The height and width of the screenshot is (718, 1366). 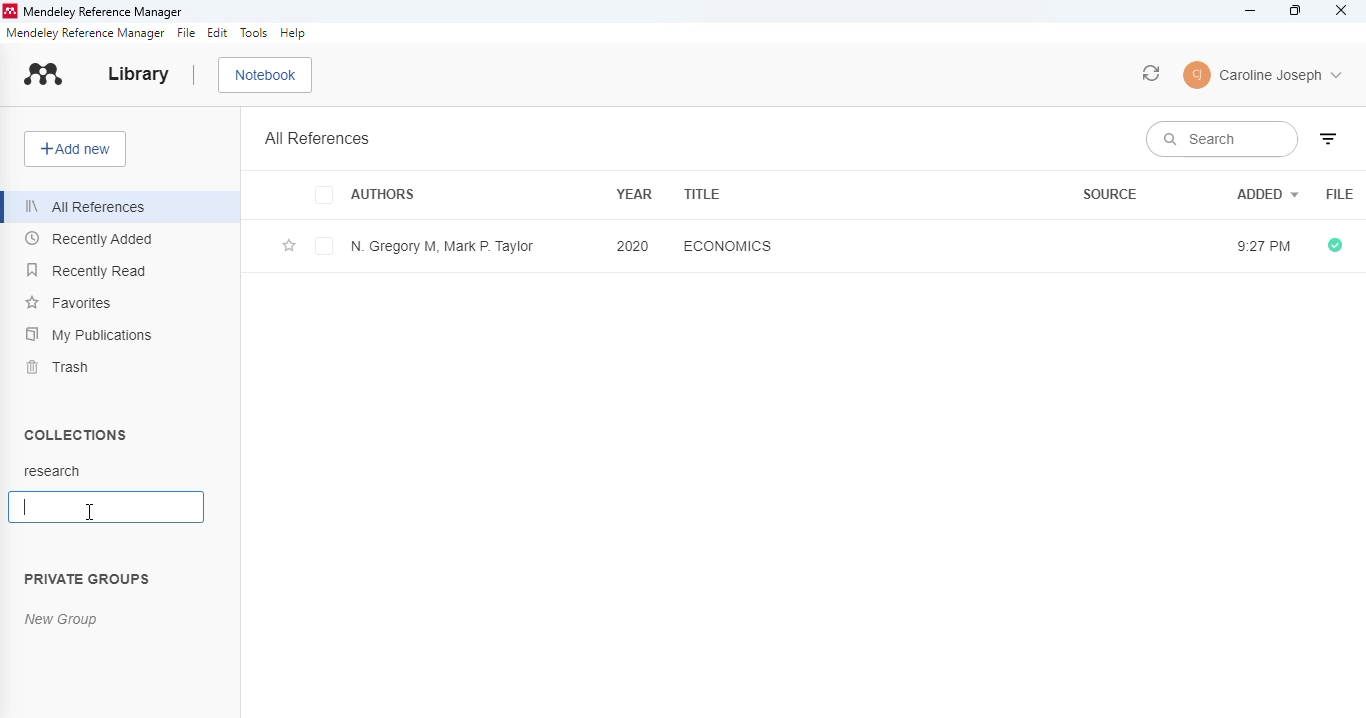 I want to click on help, so click(x=293, y=33).